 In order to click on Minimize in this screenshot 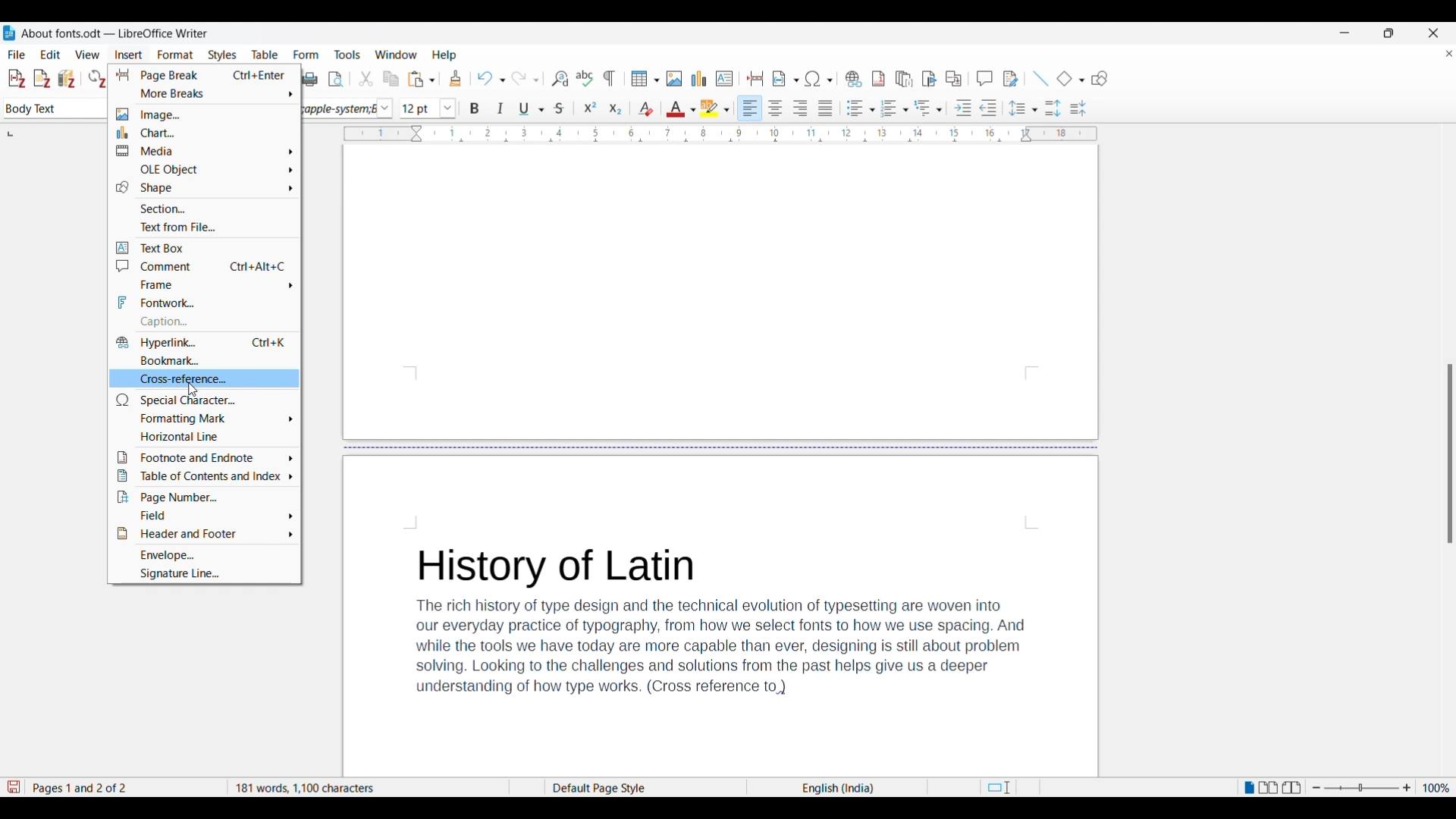, I will do `click(1345, 33)`.